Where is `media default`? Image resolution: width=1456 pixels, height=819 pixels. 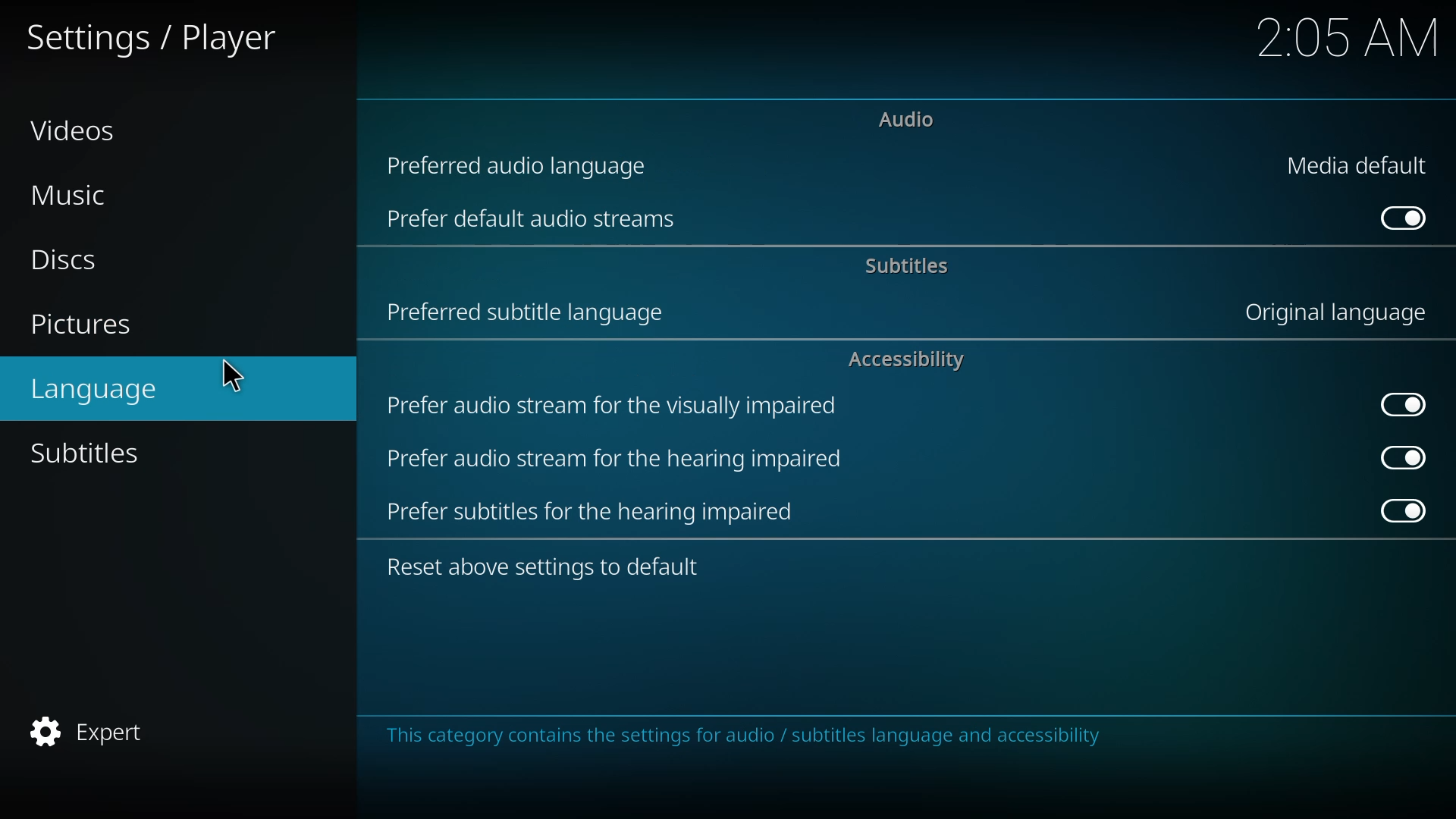
media default is located at coordinates (1360, 165).